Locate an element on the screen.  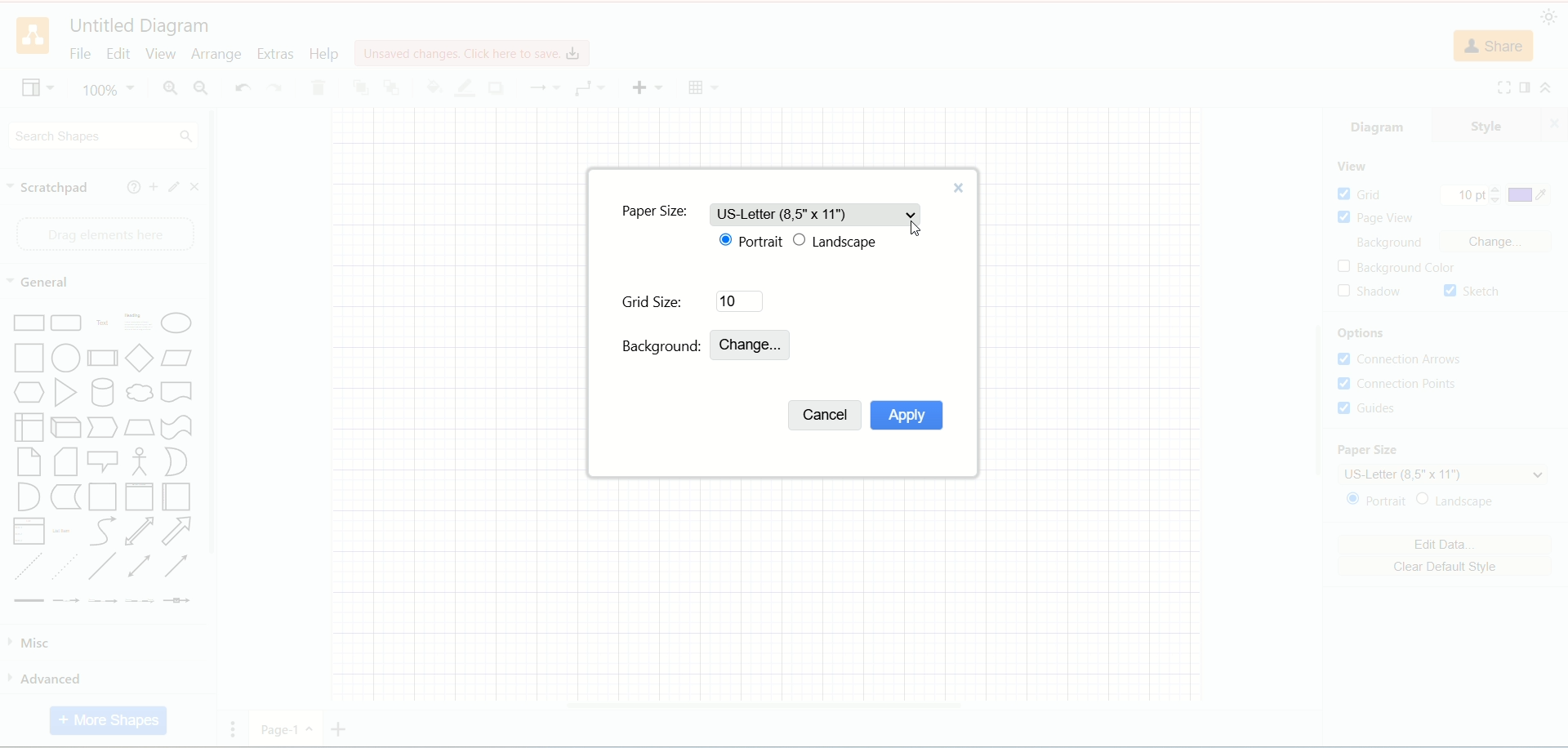
Arrow is located at coordinates (177, 533).